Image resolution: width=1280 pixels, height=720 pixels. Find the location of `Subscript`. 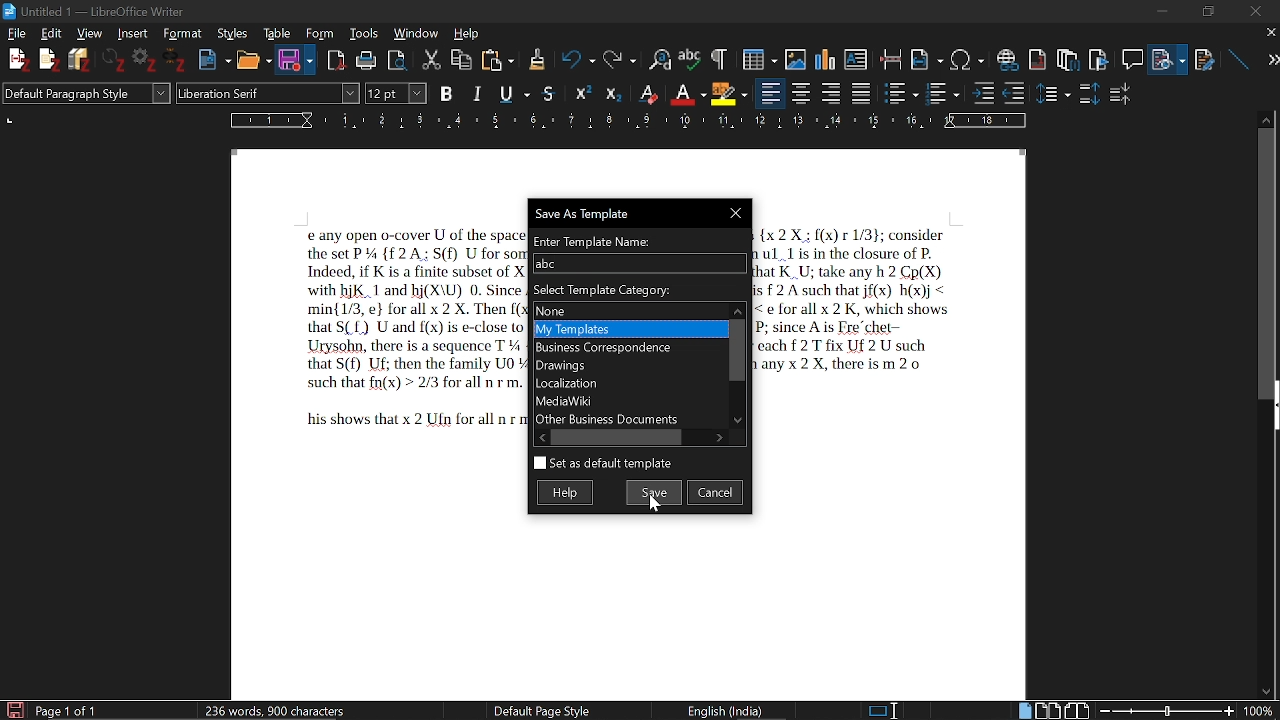

Subscript is located at coordinates (687, 91).